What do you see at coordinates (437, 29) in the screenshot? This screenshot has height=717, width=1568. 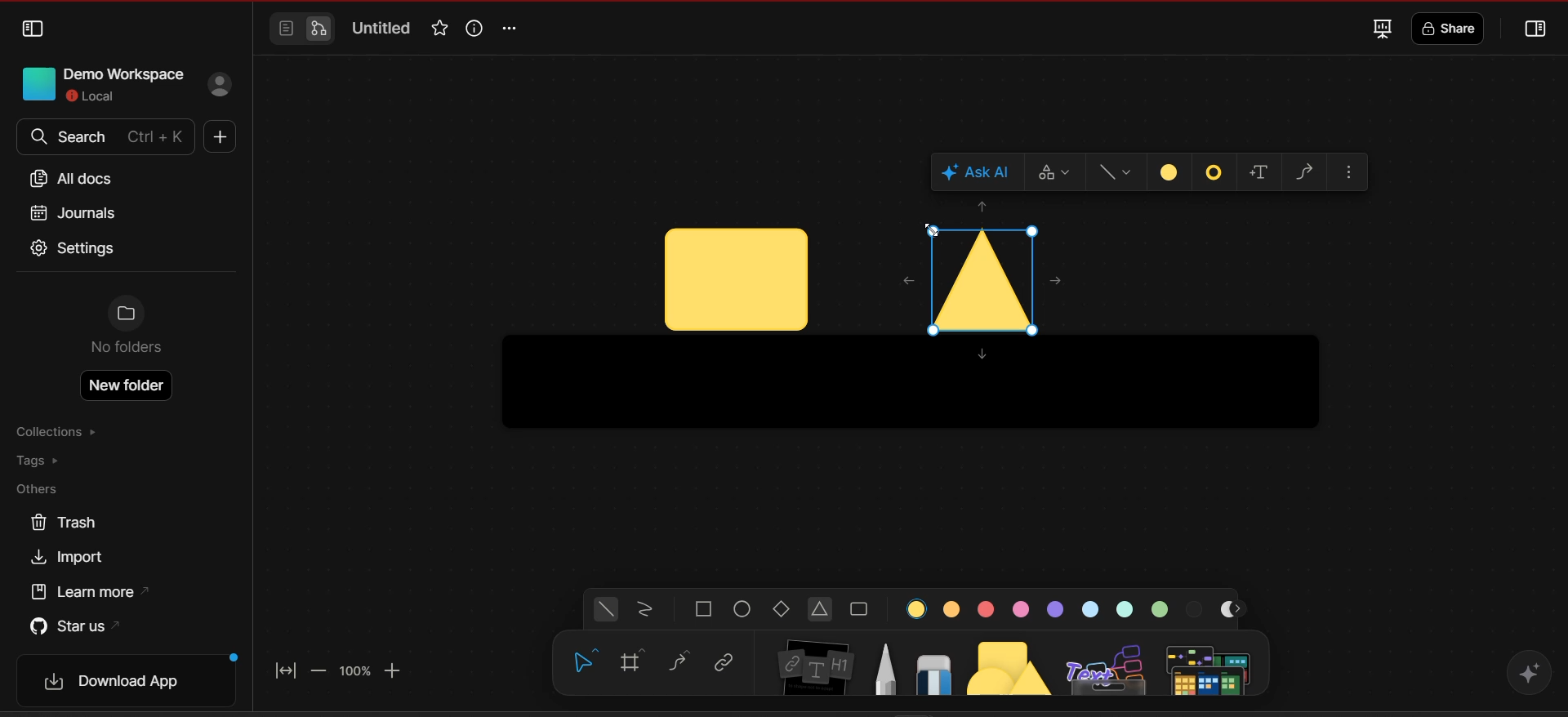 I see `favorite` at bounding box center [437, 29].